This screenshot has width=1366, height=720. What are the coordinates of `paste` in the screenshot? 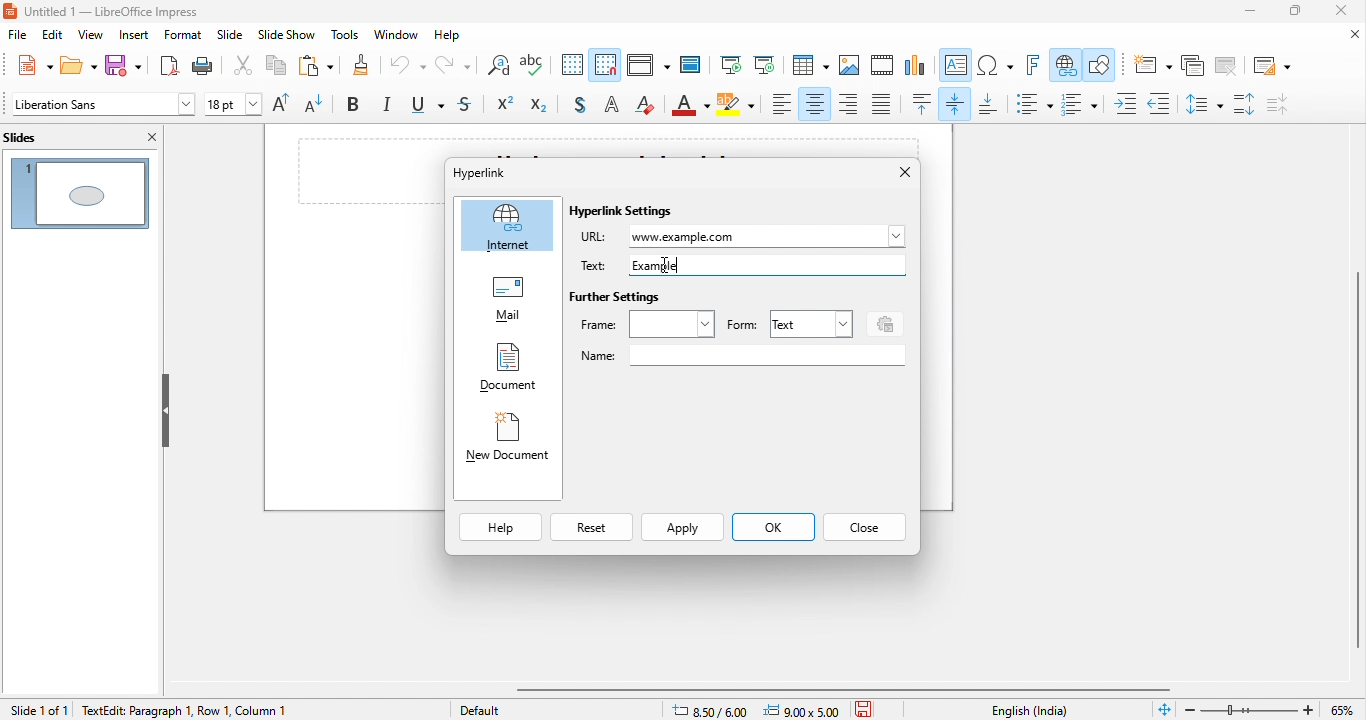 It's located at (313, 67).